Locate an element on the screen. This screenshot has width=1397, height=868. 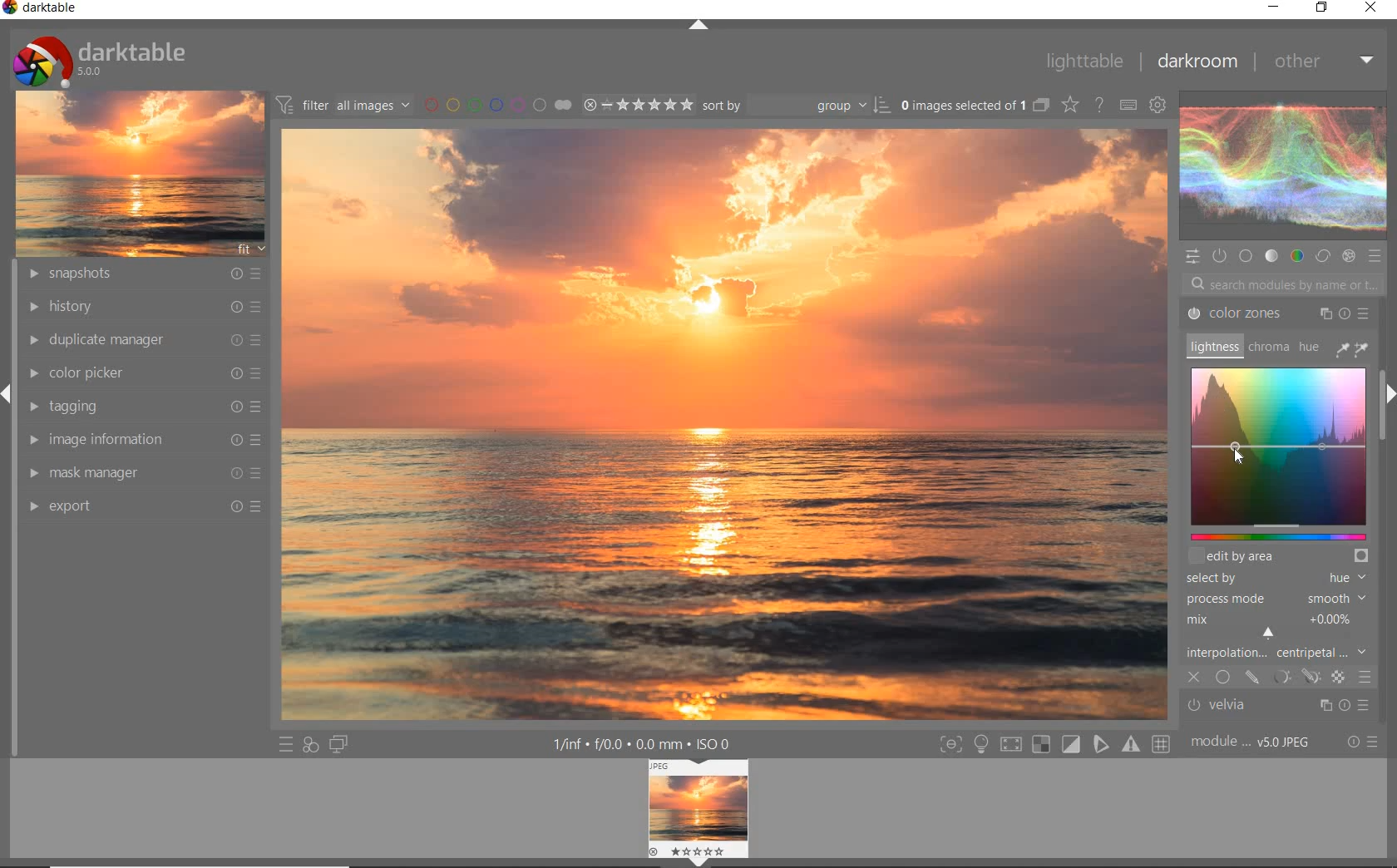
CLOSE is located at coordinates (1195, 678).